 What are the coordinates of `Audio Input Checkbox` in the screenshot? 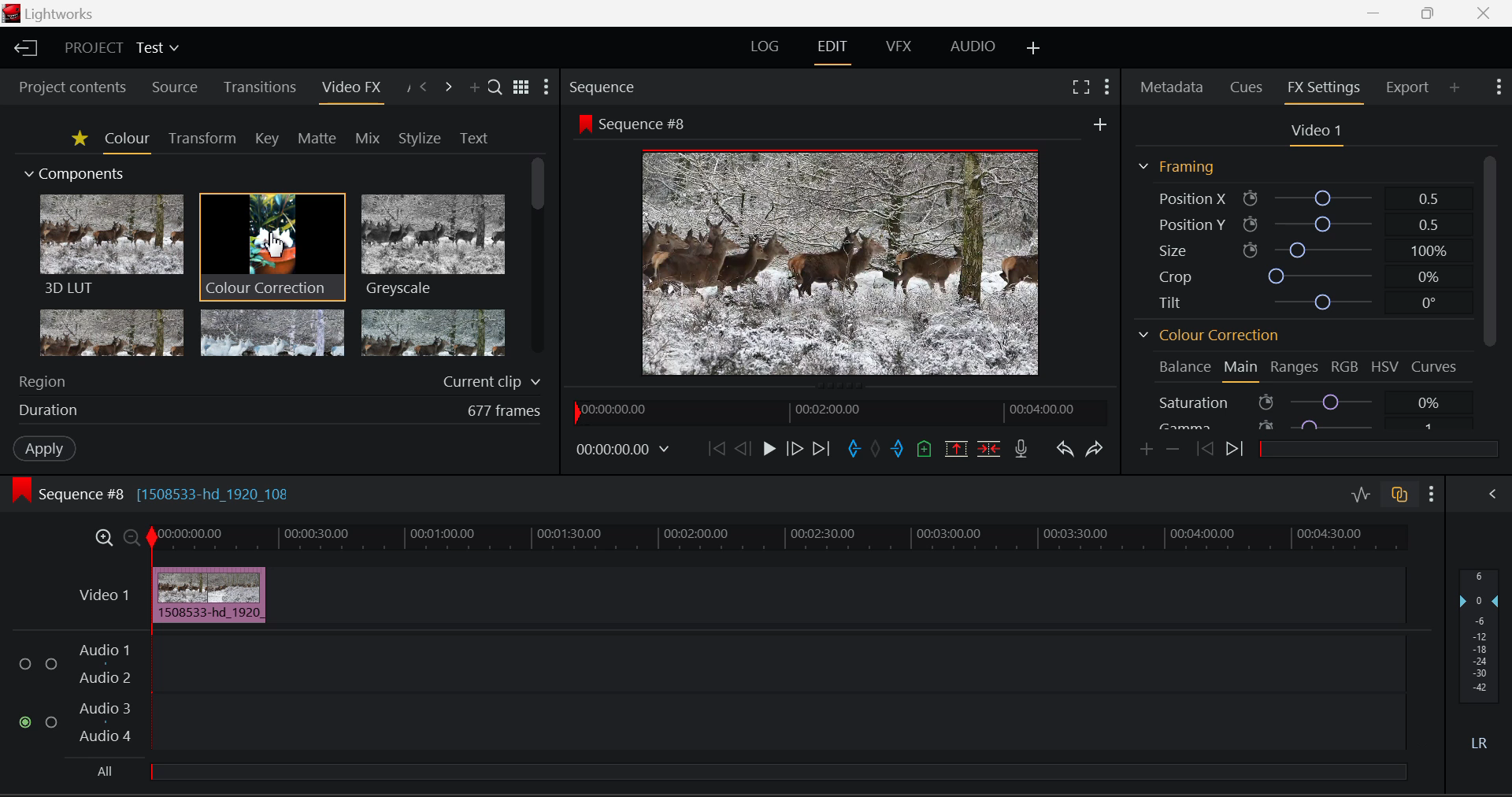 It's located at (51, 662).